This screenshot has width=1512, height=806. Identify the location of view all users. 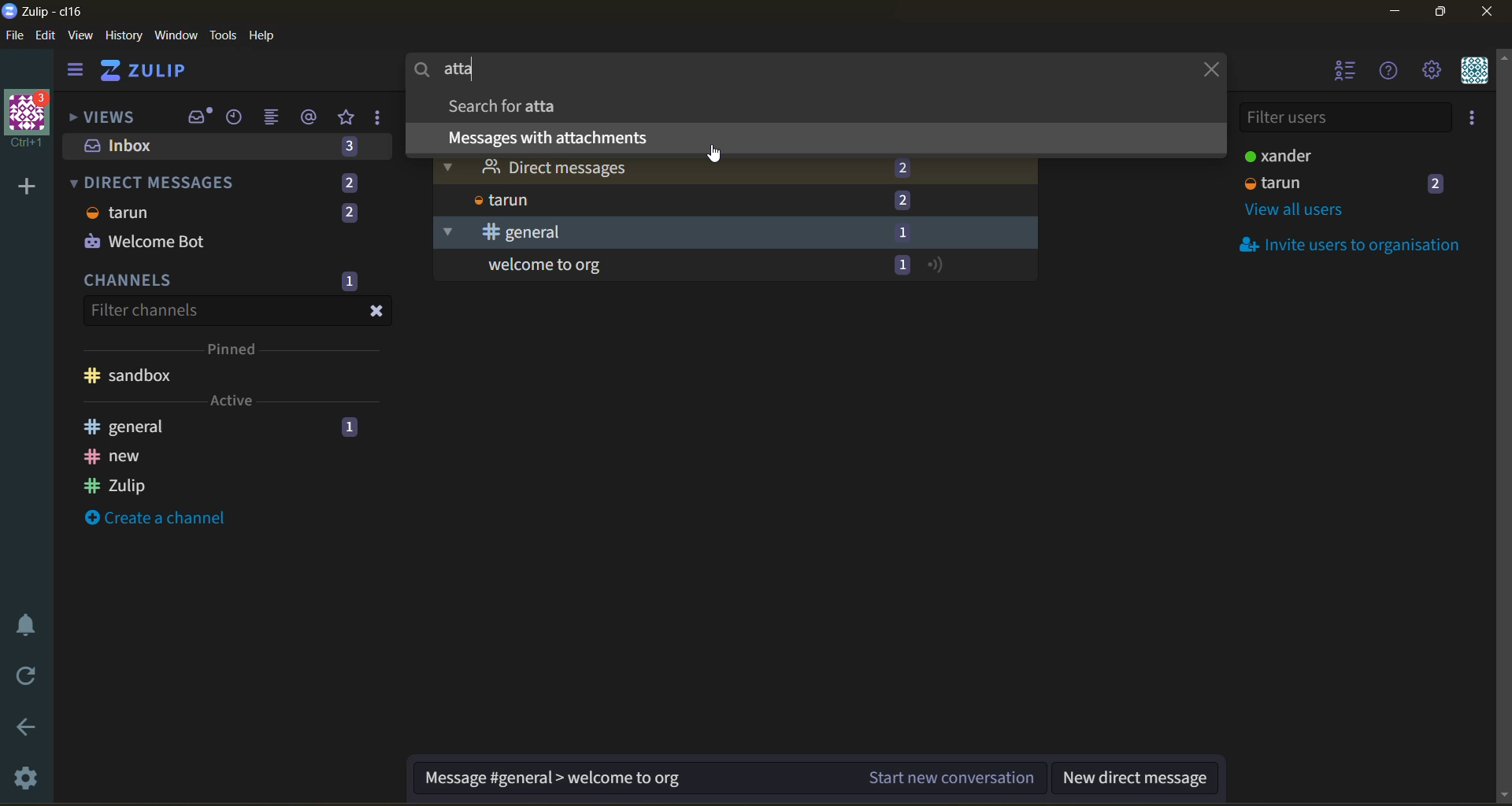
(1298, 211).